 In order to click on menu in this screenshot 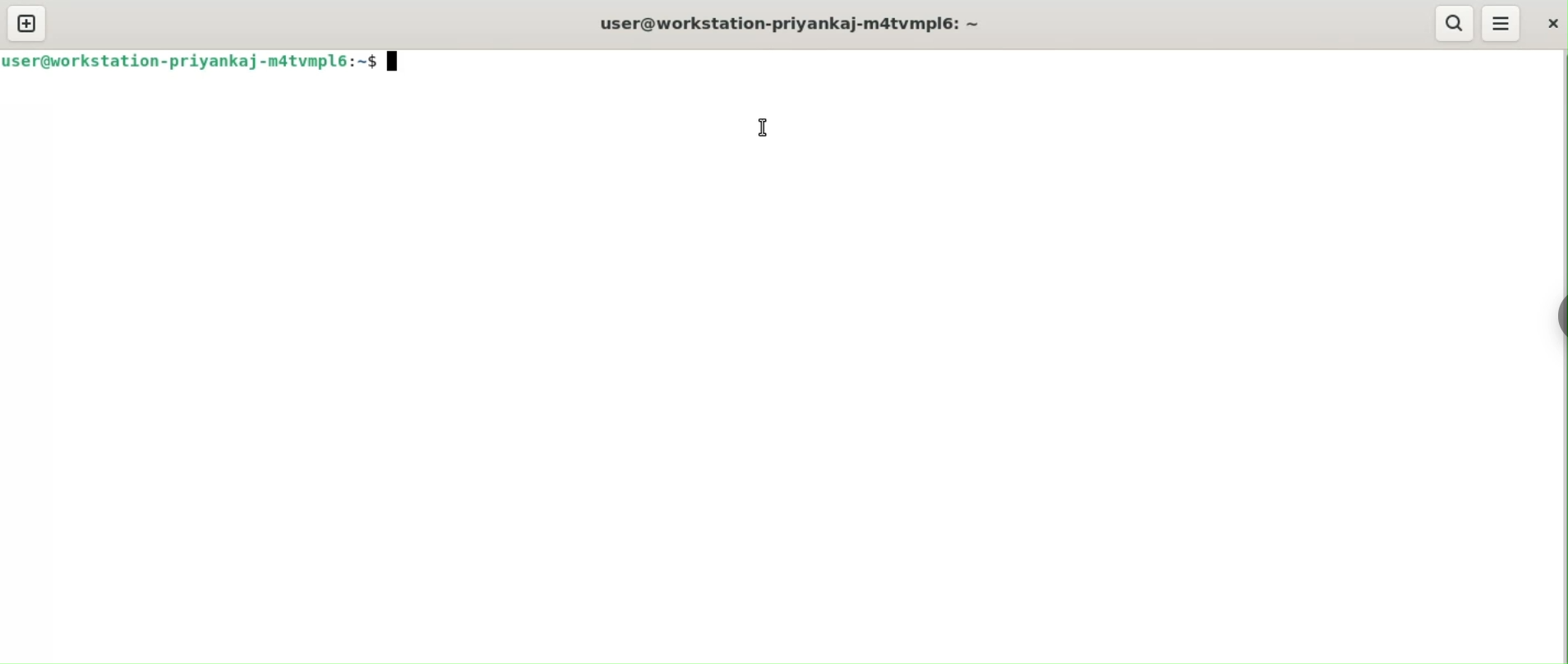, I will do `click(1502, 23)`.